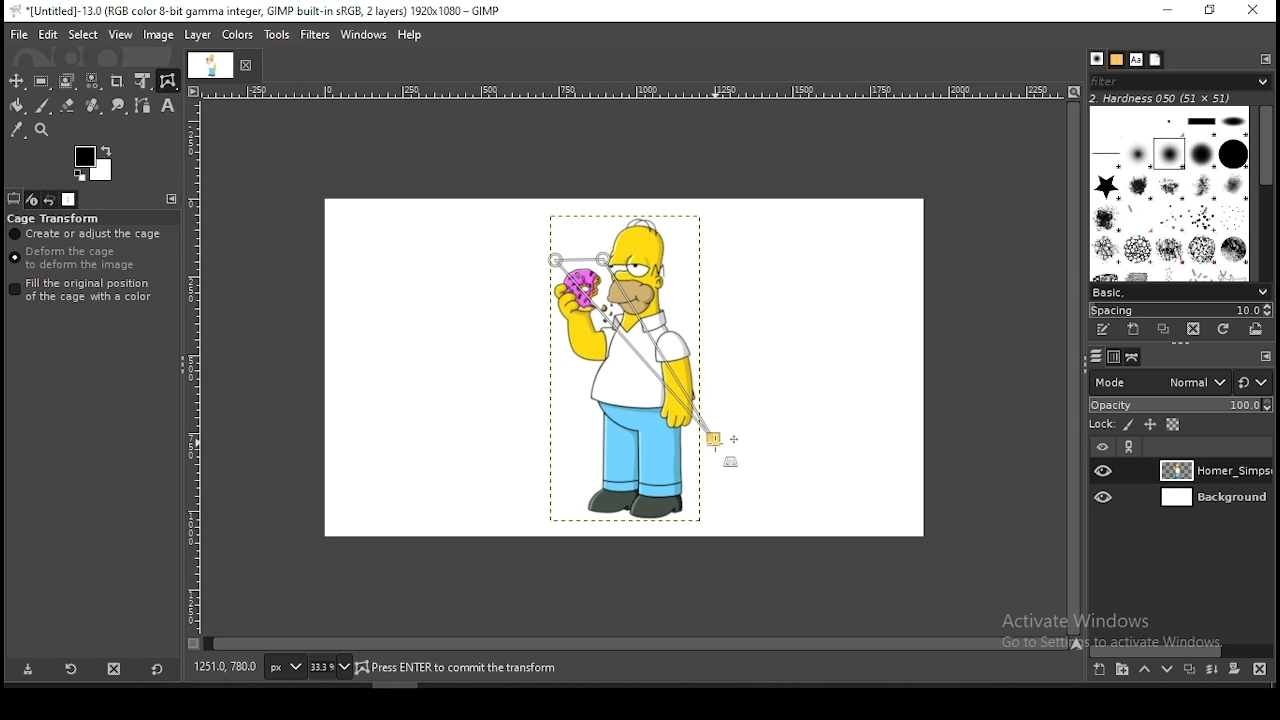 This screenshot has width=1280, height=720. I want to click on select, so click(83, 34).